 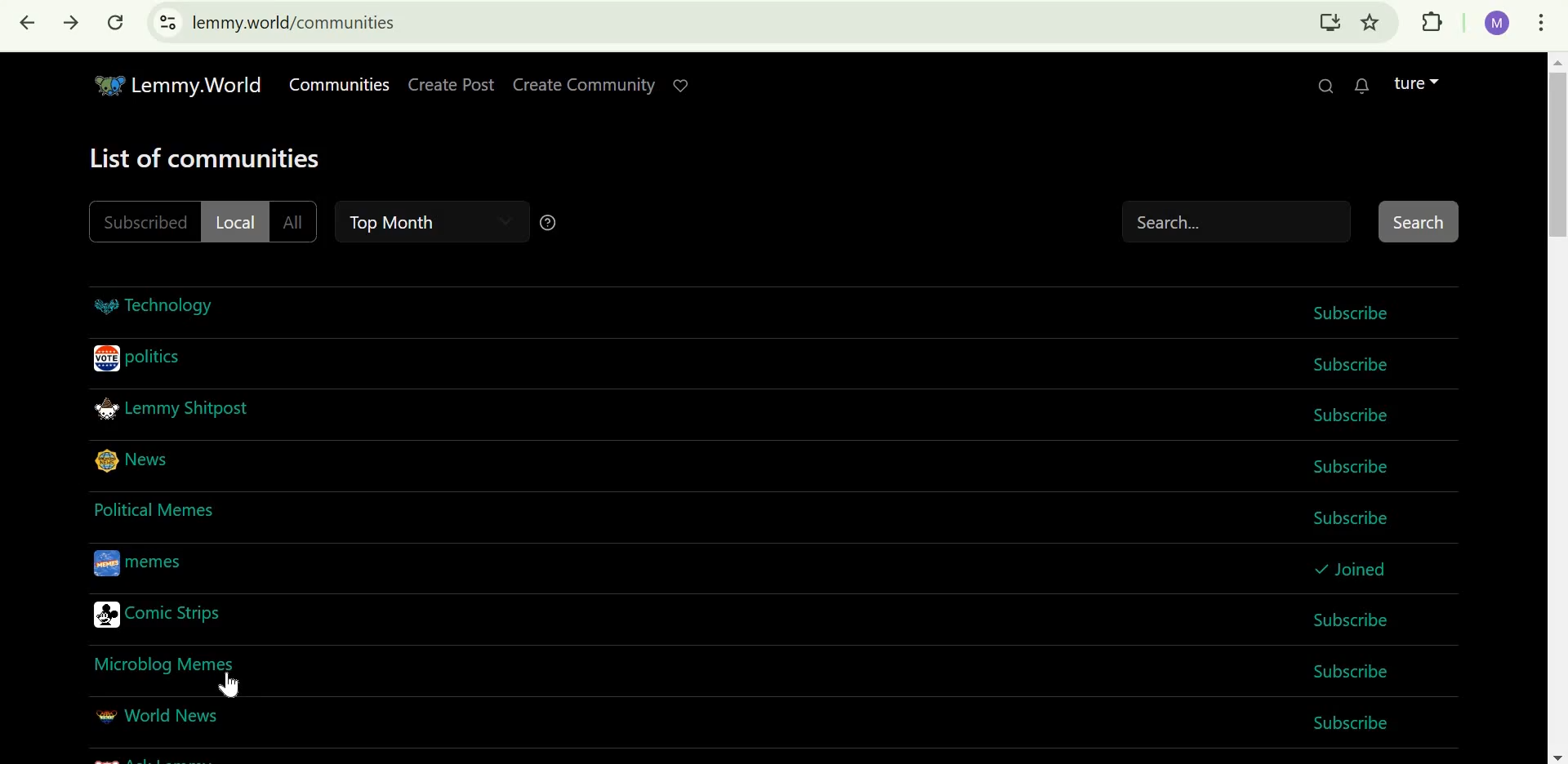 I want to click on Lemmy account, so click(x=1416, y=83).